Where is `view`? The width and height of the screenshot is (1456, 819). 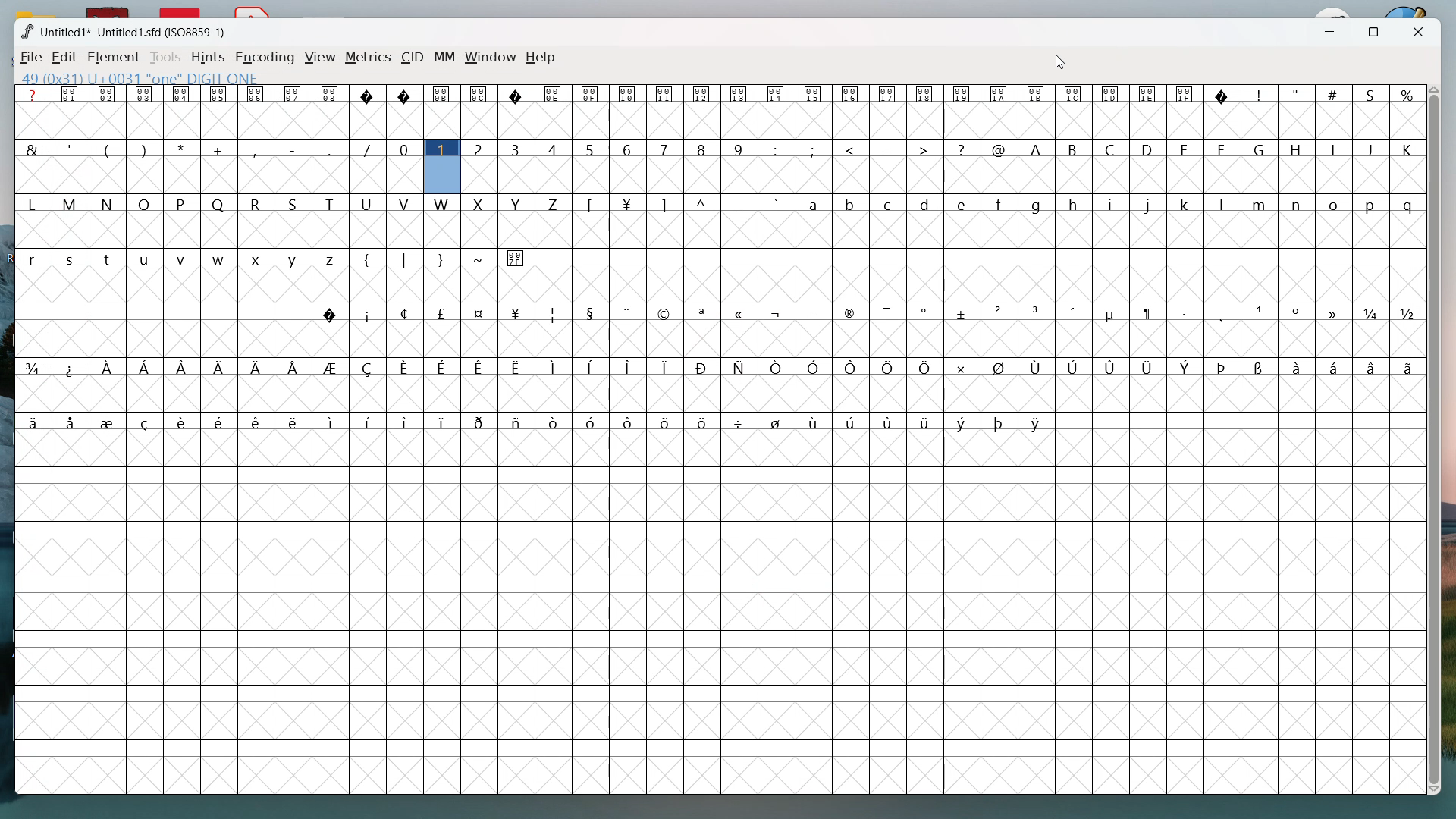
view is located at coordinates (320, 58).